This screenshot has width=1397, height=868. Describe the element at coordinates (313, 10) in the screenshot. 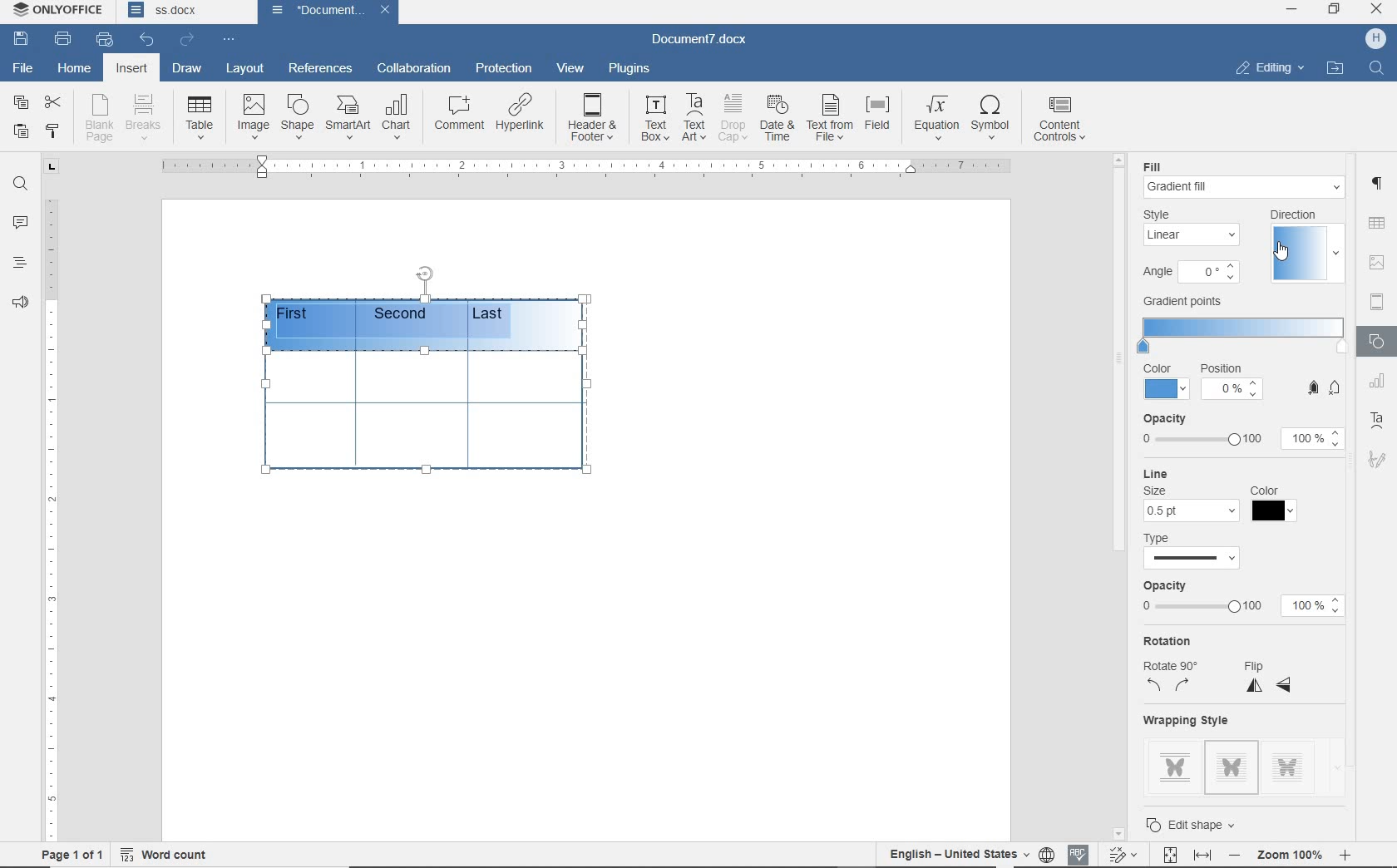

I see `document` at that location.